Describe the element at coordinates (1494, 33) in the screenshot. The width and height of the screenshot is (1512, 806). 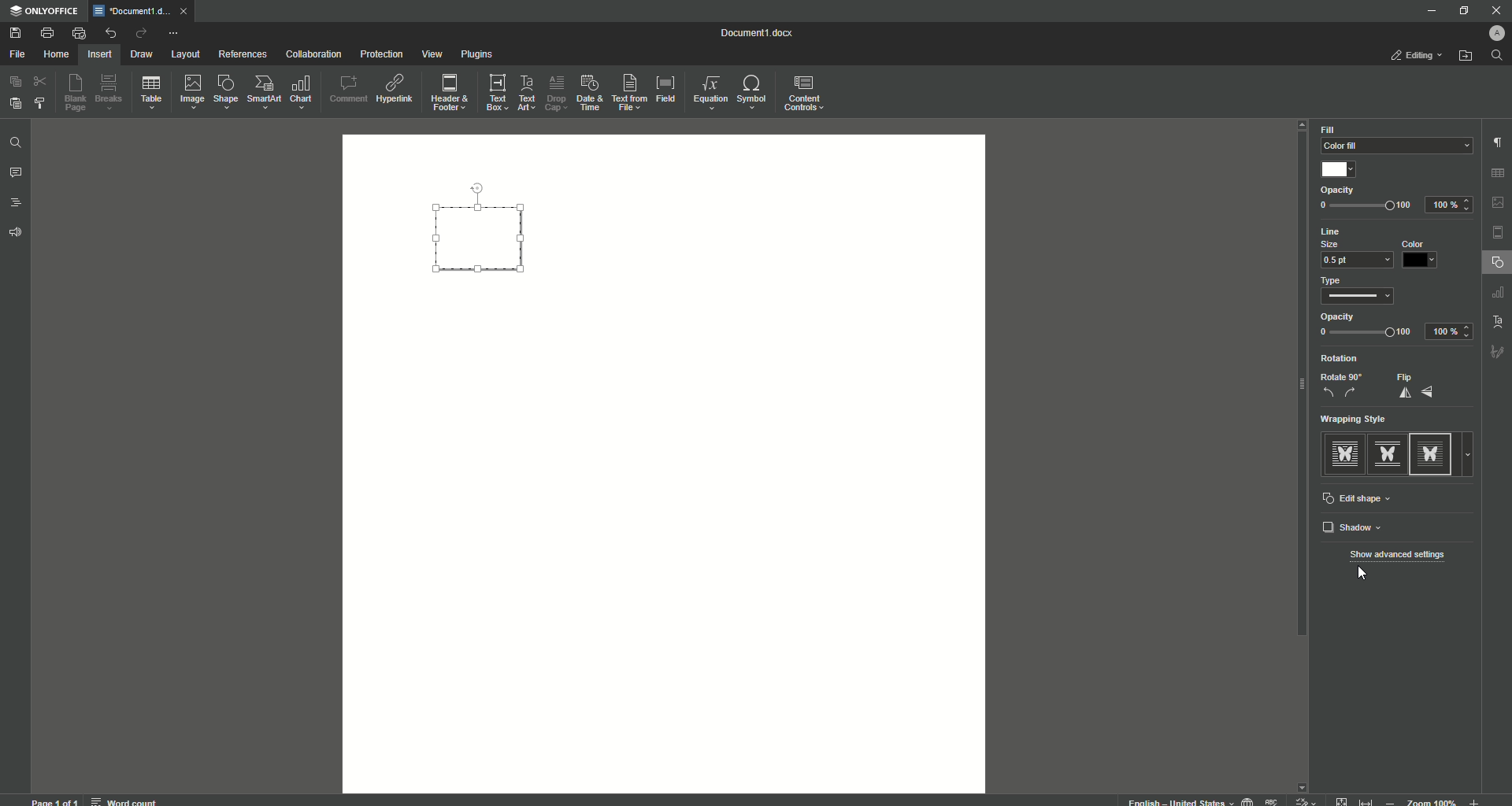
I see `Profile` at that location.